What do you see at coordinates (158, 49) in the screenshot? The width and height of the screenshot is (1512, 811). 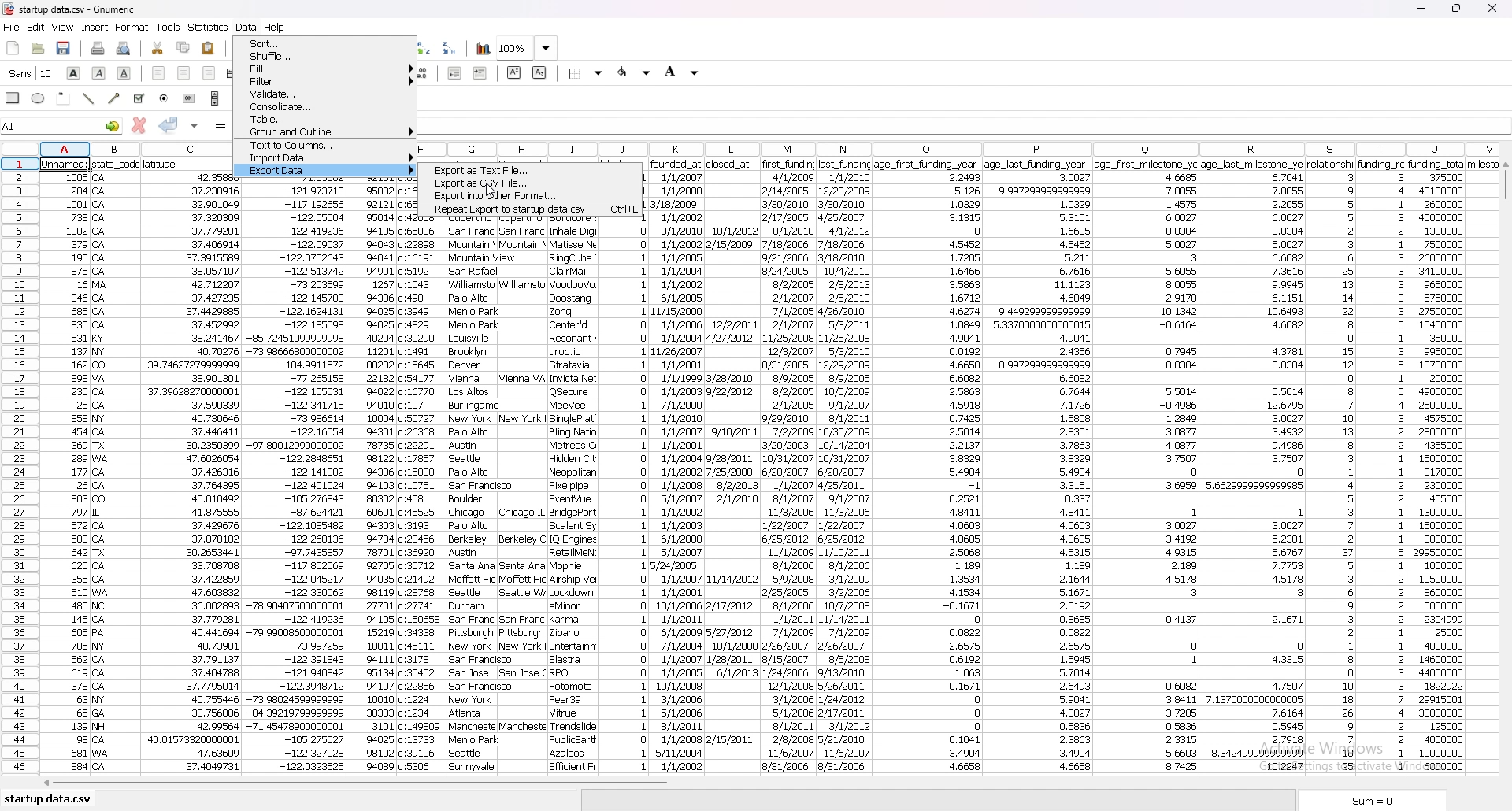 I see `cut` at bounding box center [158, 49].